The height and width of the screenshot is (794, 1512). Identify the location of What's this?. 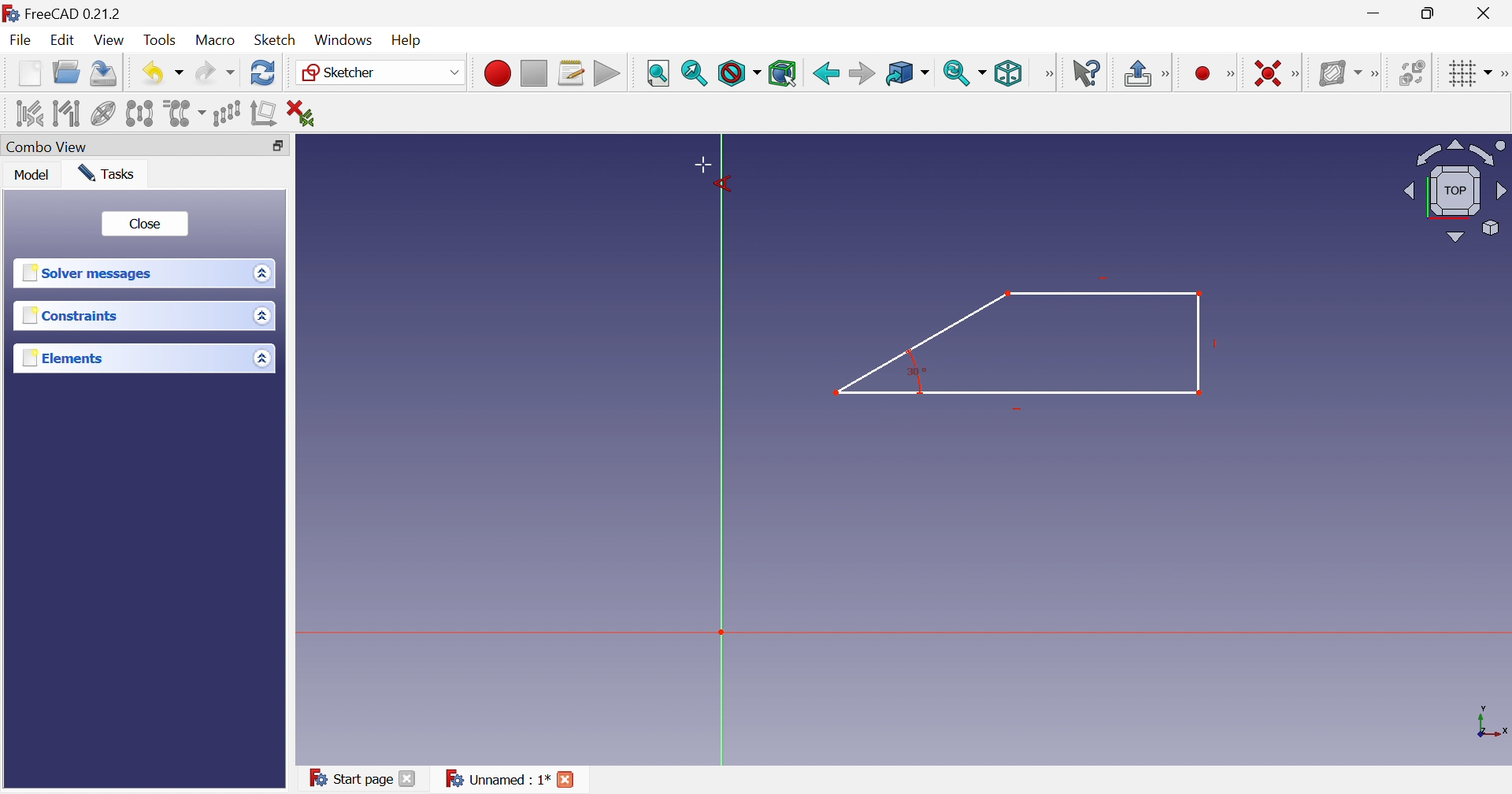
(1086, 72).